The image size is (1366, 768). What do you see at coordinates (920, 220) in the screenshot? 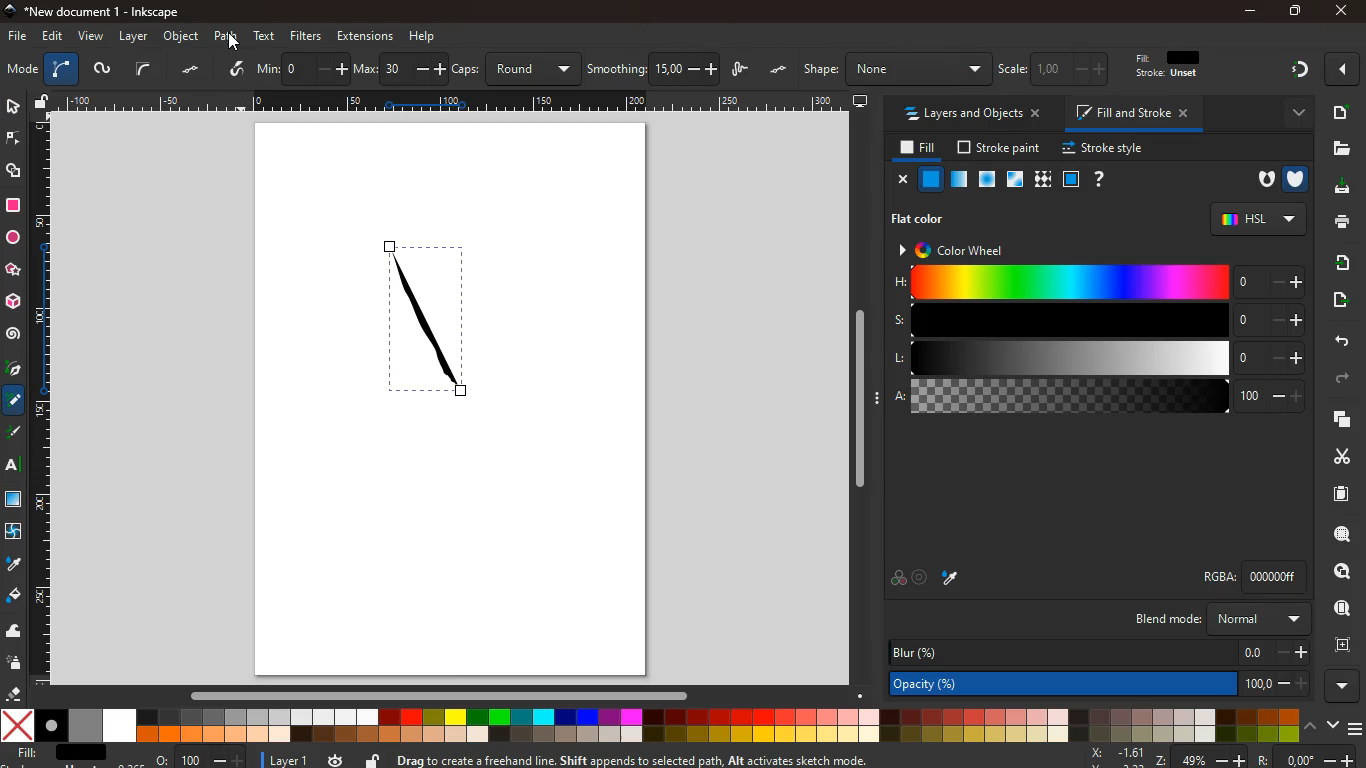
I see `flat color` at bounding box center [920, 220].